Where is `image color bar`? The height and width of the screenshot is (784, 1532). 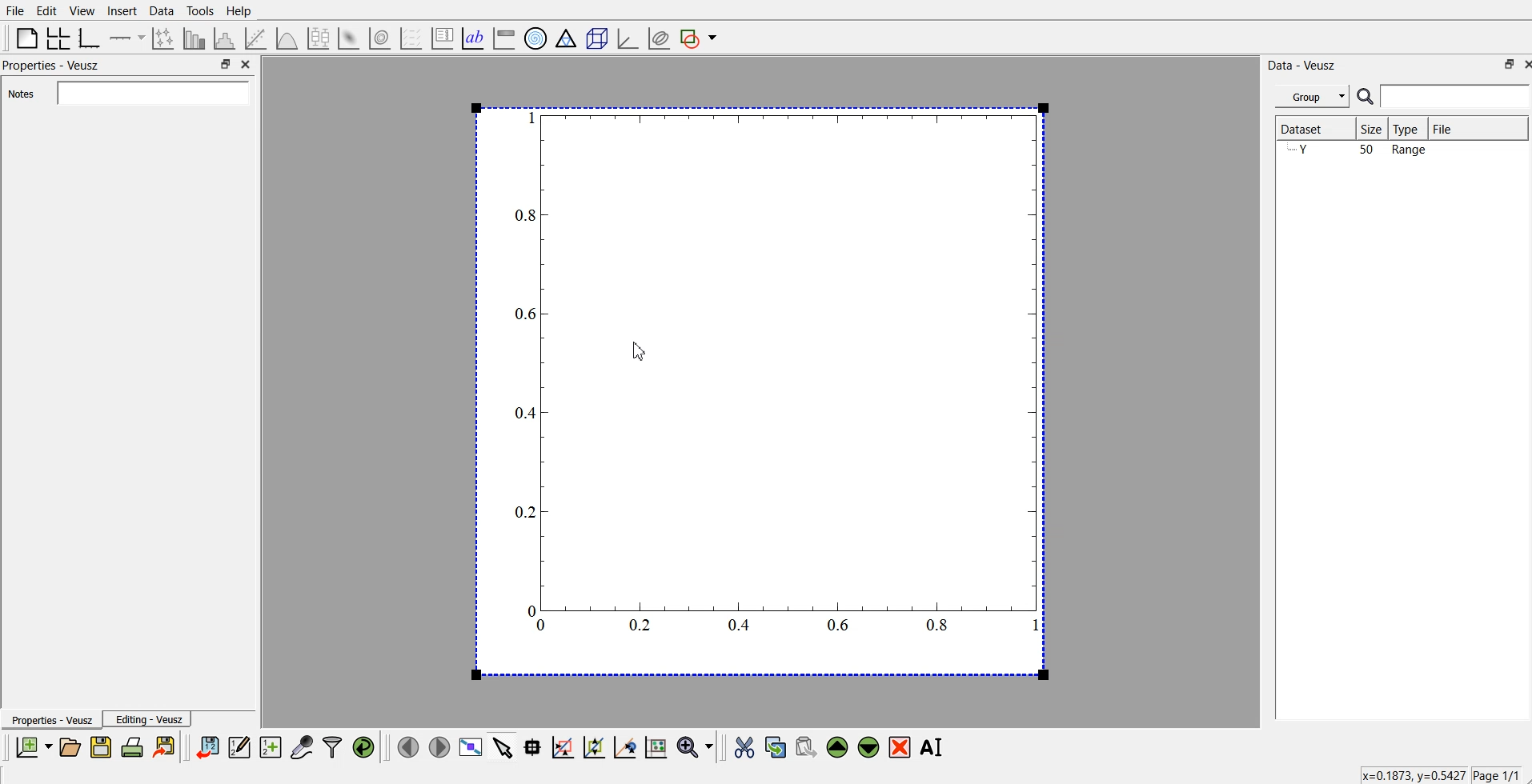
image color bar is located at coordinates (503, 37).